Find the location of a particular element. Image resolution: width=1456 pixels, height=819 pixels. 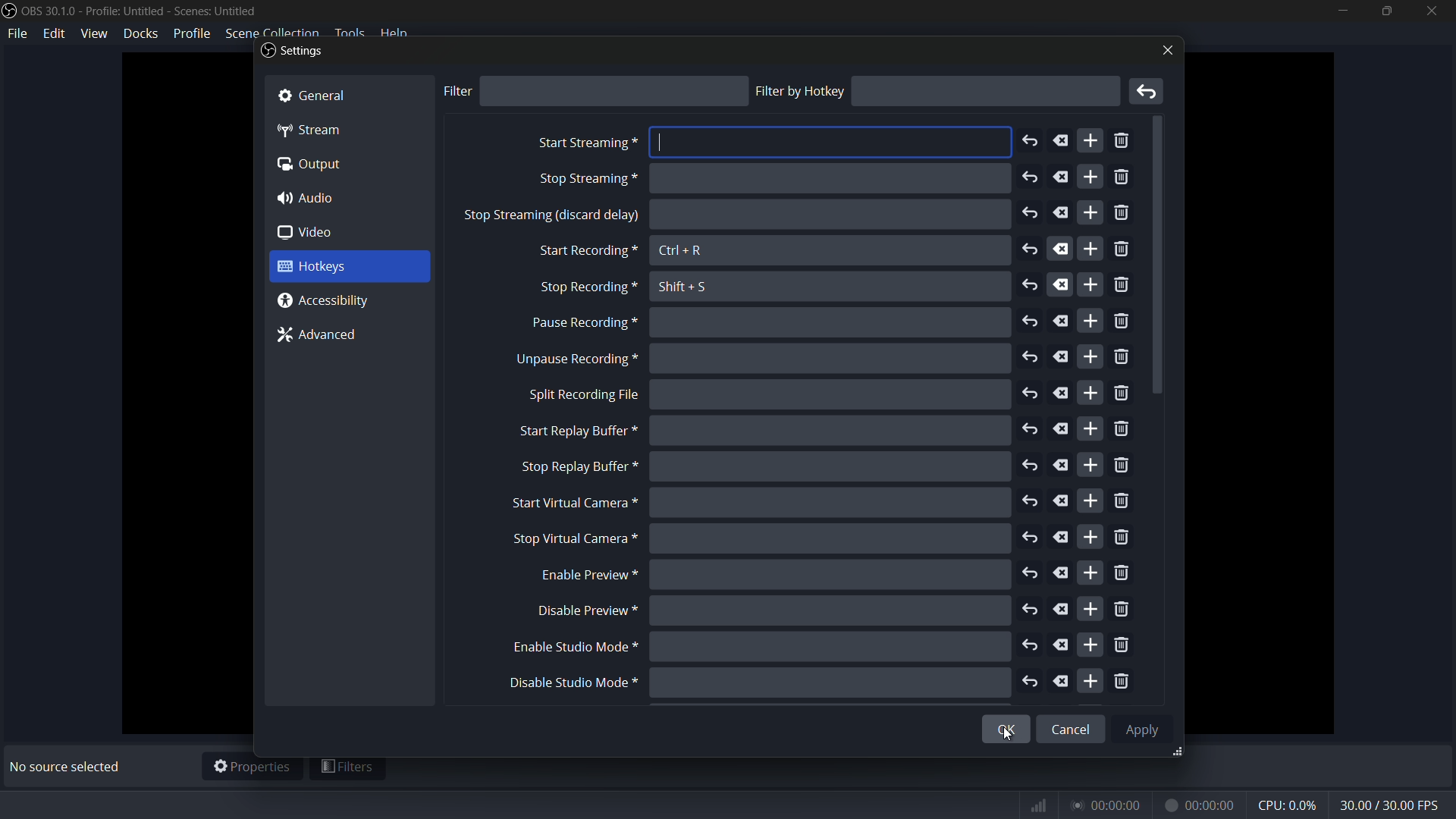

remove is located at coordinates (1122, 682).